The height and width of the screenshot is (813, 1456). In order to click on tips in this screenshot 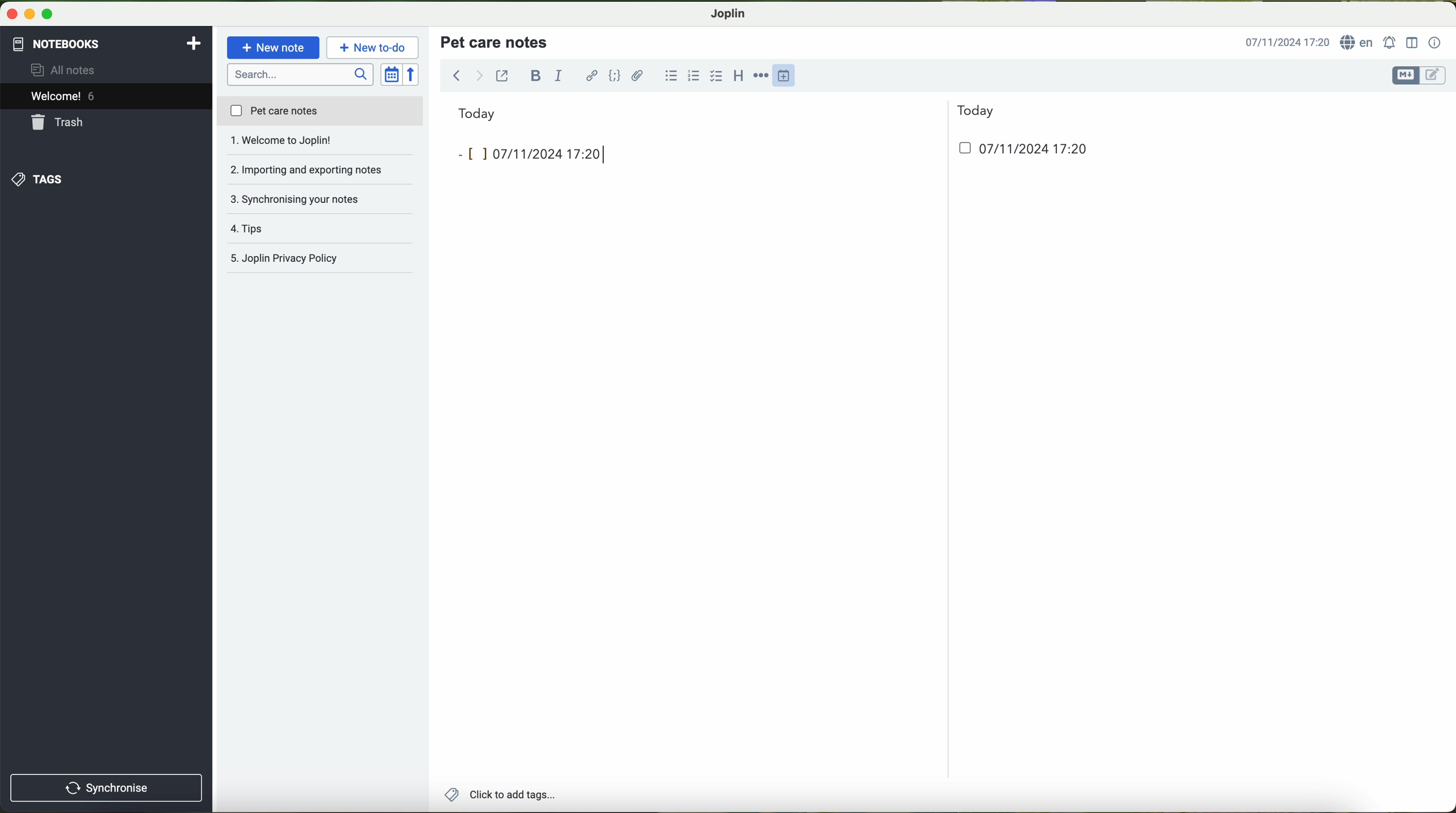, I will do `click(320, 199)`.